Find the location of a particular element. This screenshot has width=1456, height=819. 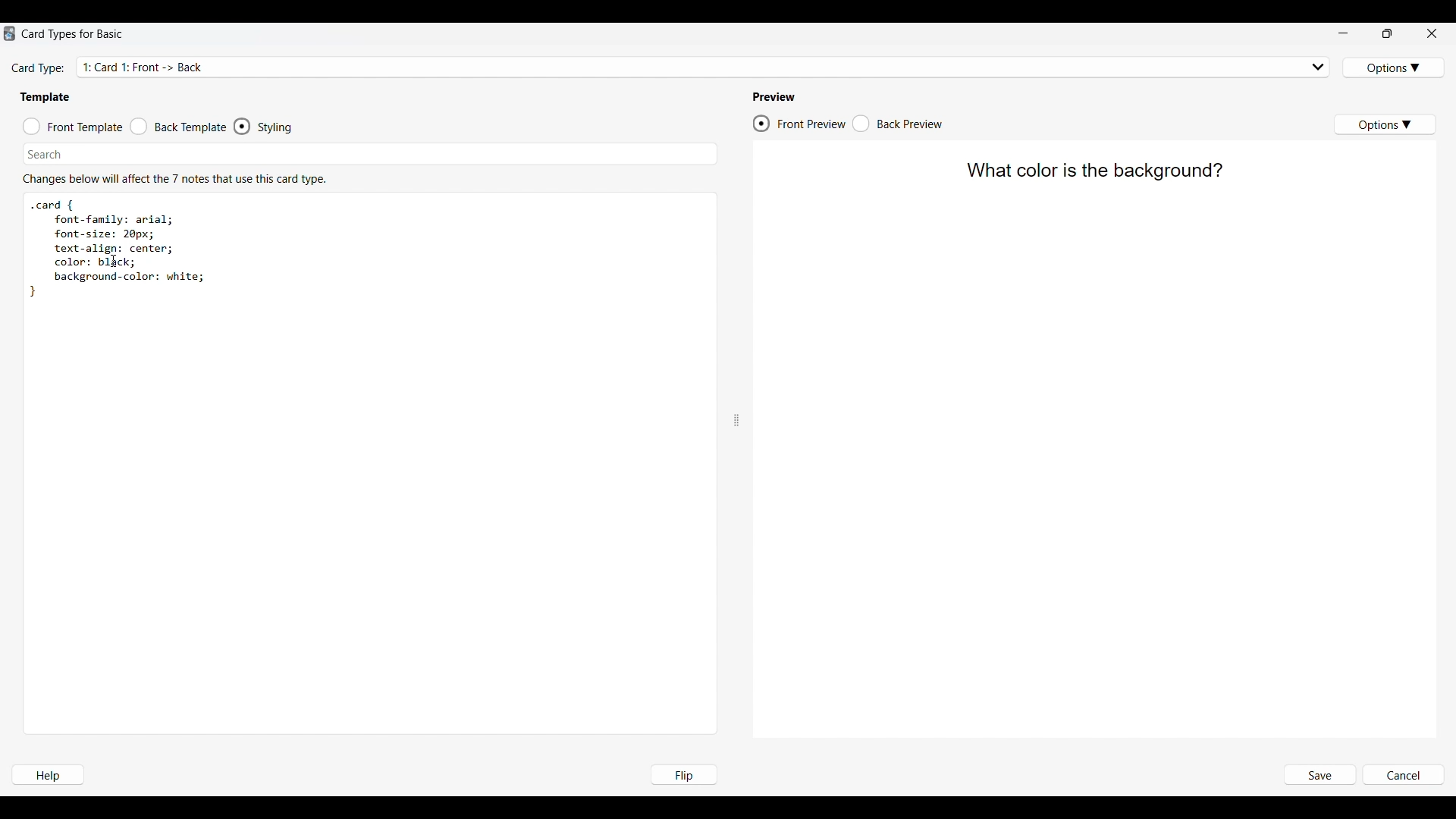

Software logo is located at coordinates (9, 33).